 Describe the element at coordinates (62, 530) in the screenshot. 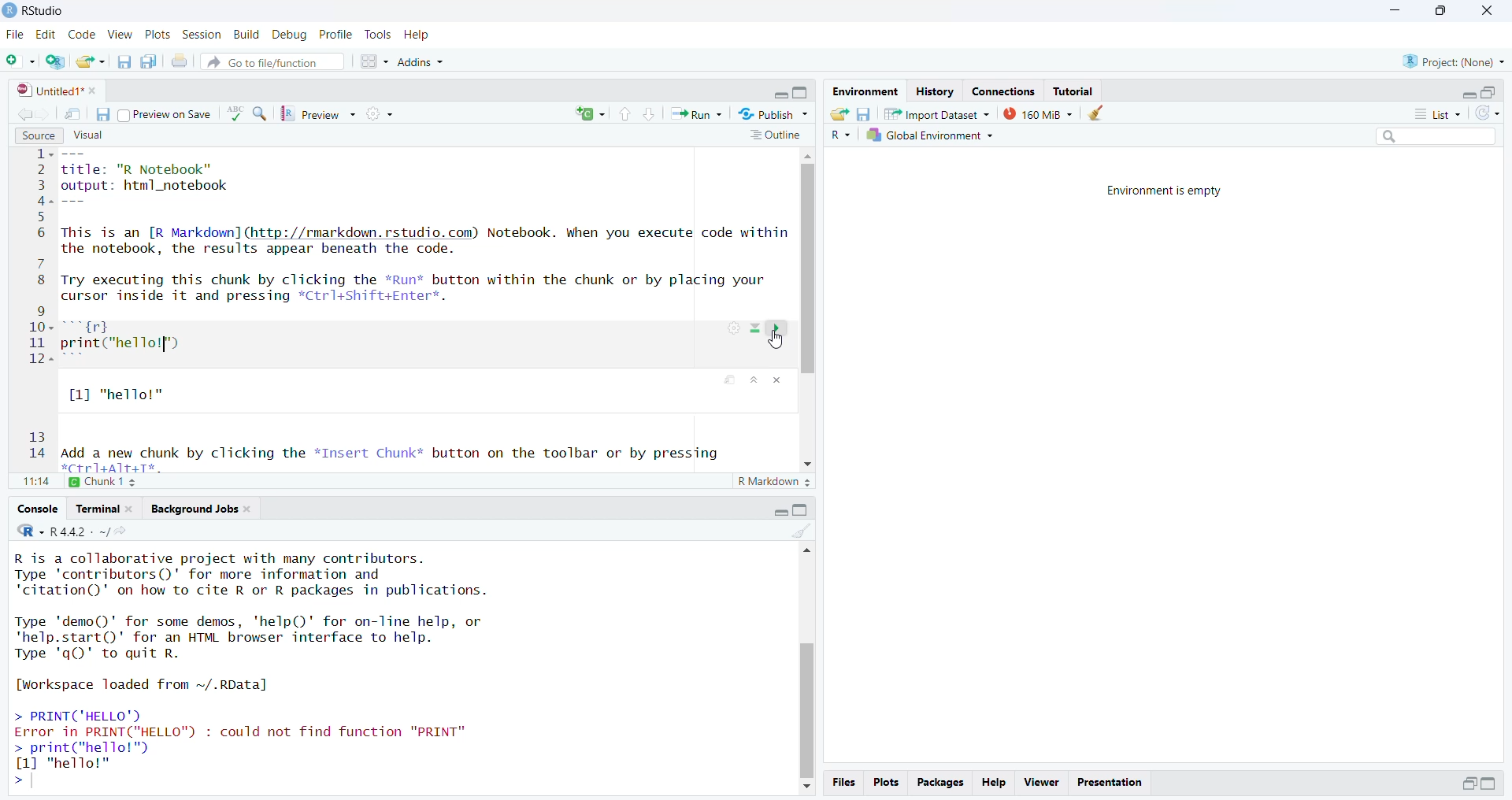

I see `R.4.4.2` at that location.